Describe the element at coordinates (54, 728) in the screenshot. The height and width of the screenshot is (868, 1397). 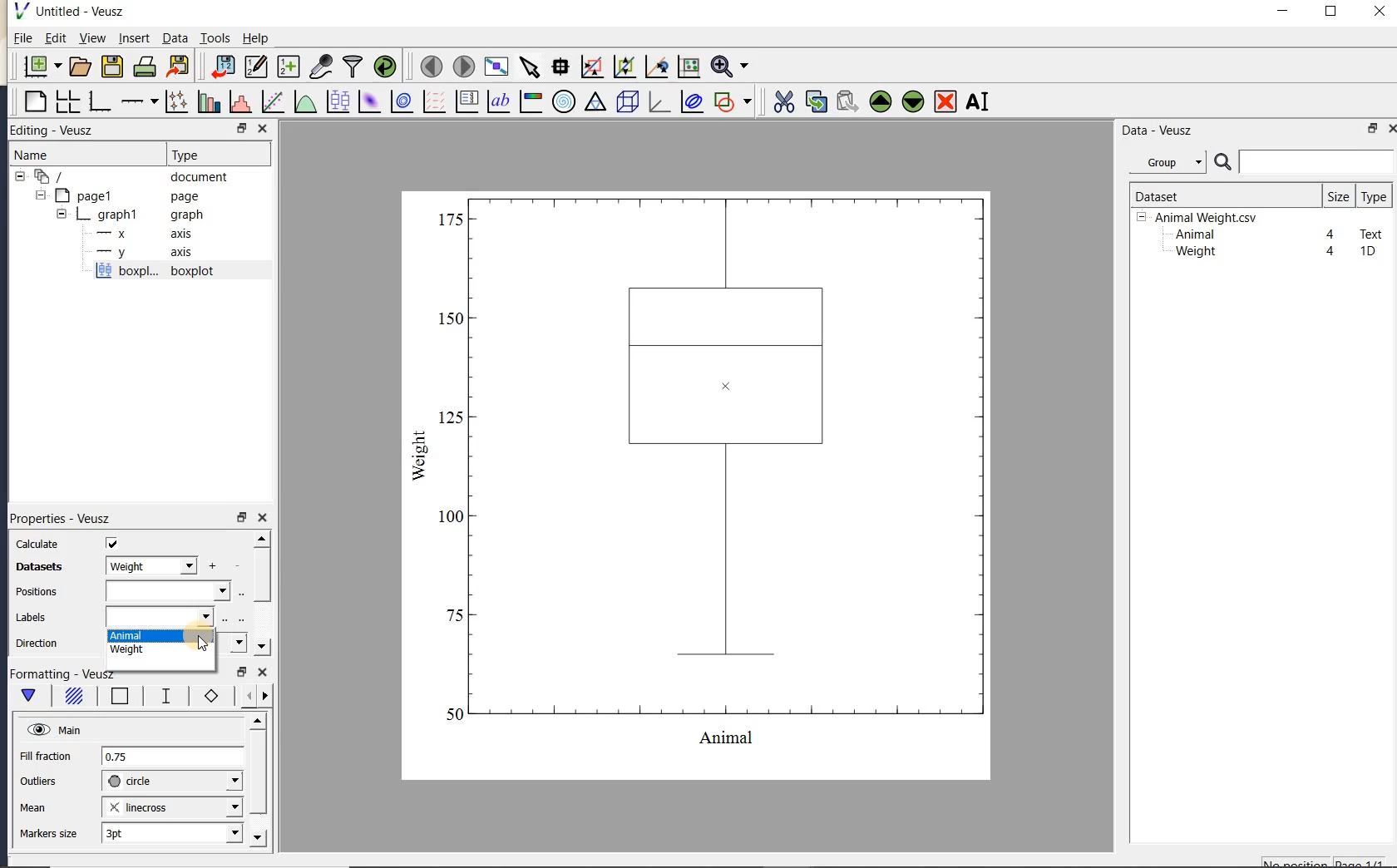
I see `Main` at that location.